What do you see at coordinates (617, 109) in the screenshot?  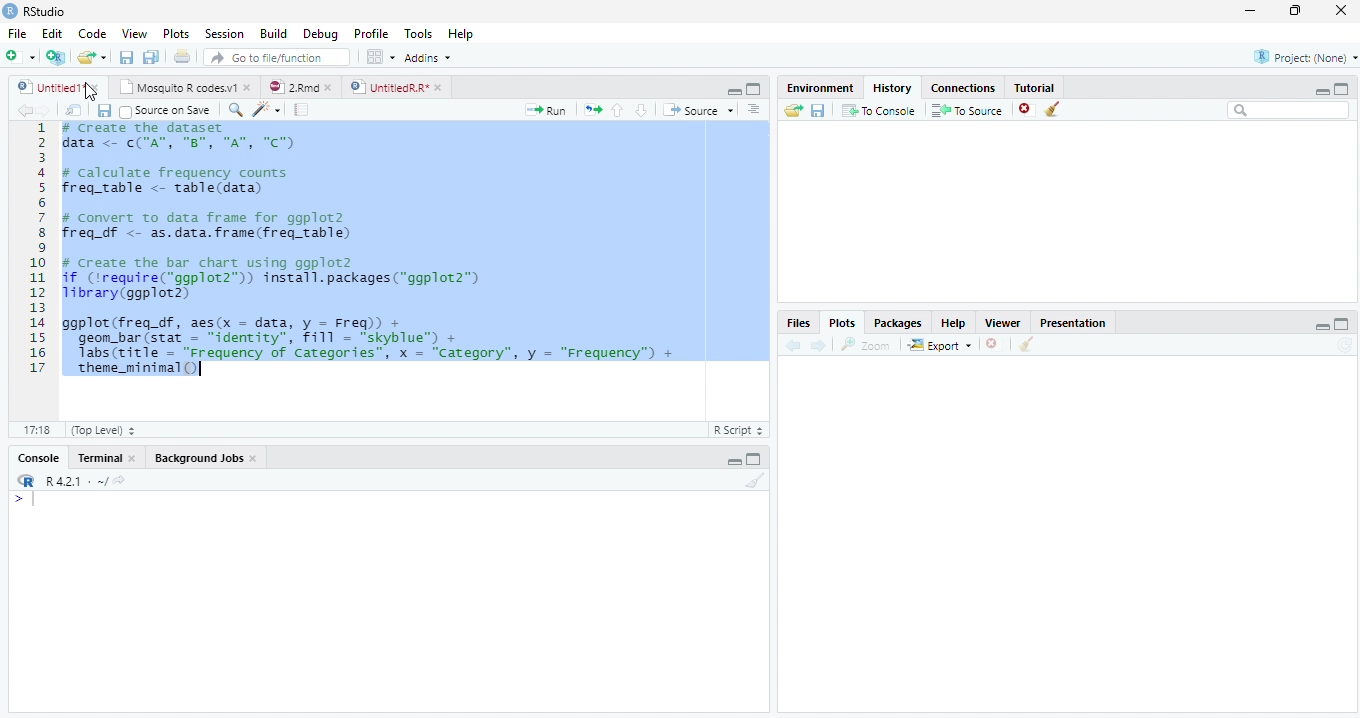 I see `Go to the previous section` at bounding box center [617, 109].